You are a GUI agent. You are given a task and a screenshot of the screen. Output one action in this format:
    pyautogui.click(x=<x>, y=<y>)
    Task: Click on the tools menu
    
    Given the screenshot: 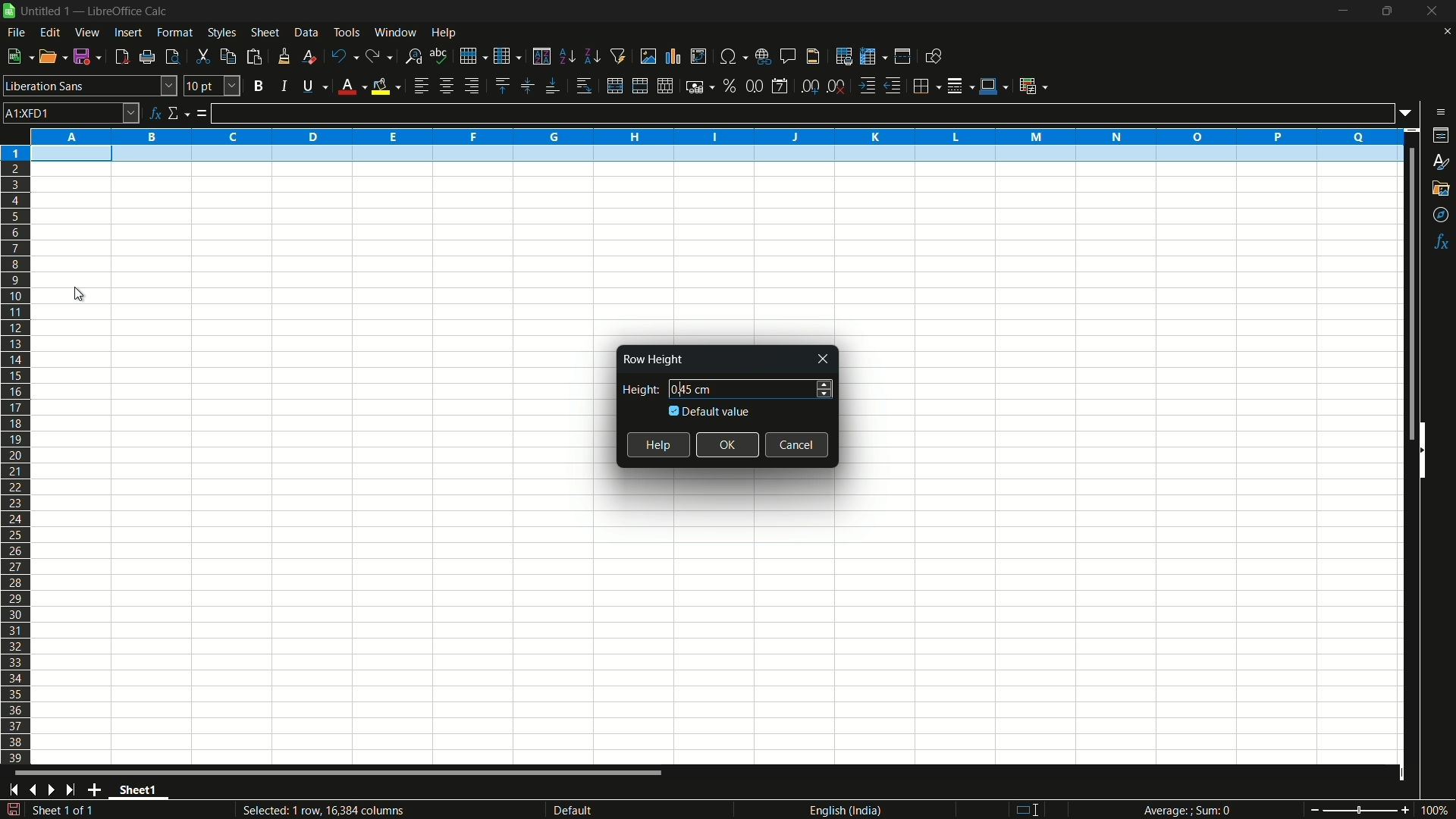 What is the action you would take?
    pyautogui.click(x=346, y=32)
    